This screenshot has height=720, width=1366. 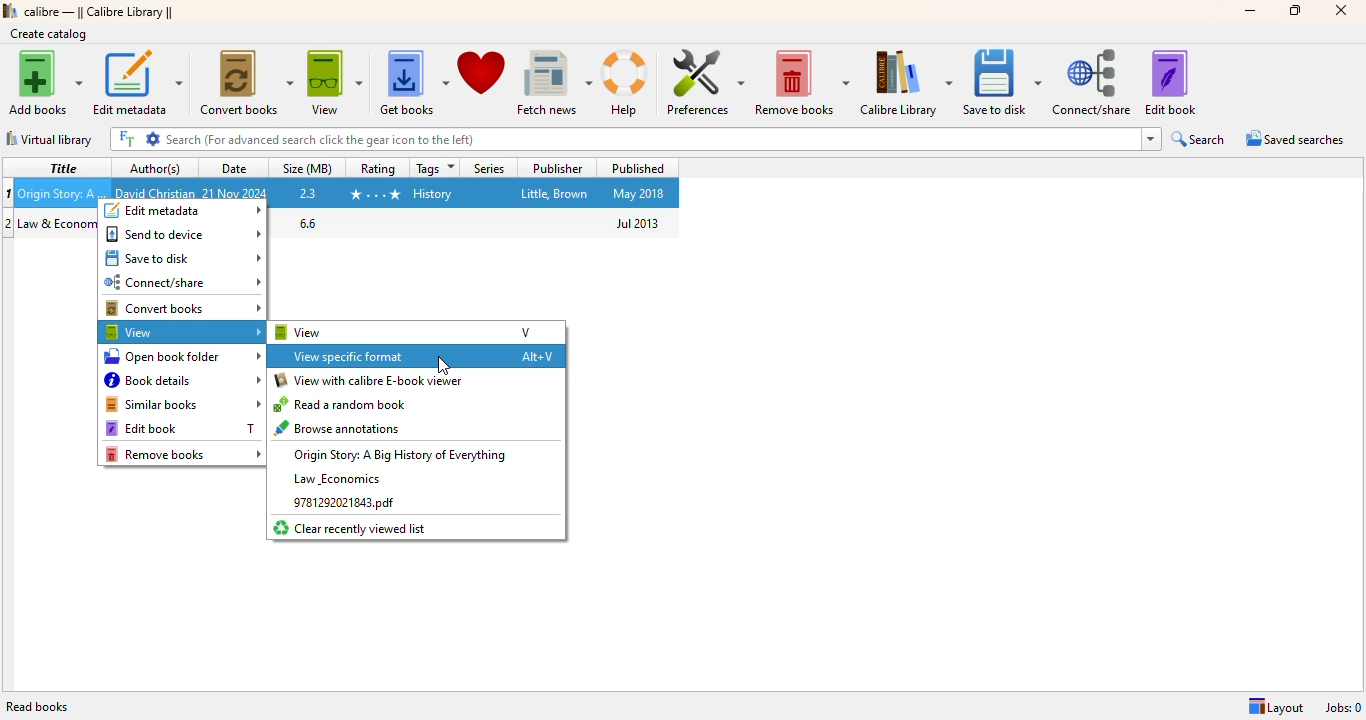 I want to click on publisher, so click(x=556, y=193).